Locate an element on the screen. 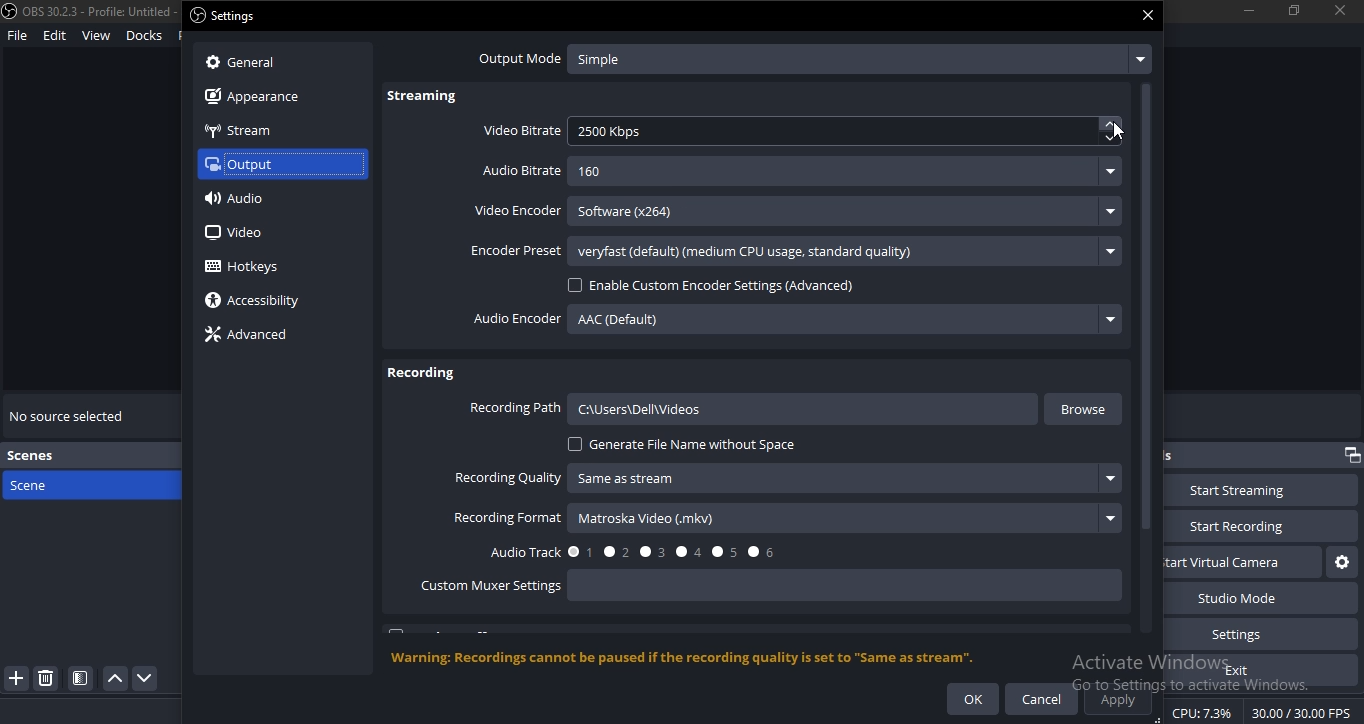 This screenshot has height=724, width=1364. encoder preset is located at coordinates (509, 252).